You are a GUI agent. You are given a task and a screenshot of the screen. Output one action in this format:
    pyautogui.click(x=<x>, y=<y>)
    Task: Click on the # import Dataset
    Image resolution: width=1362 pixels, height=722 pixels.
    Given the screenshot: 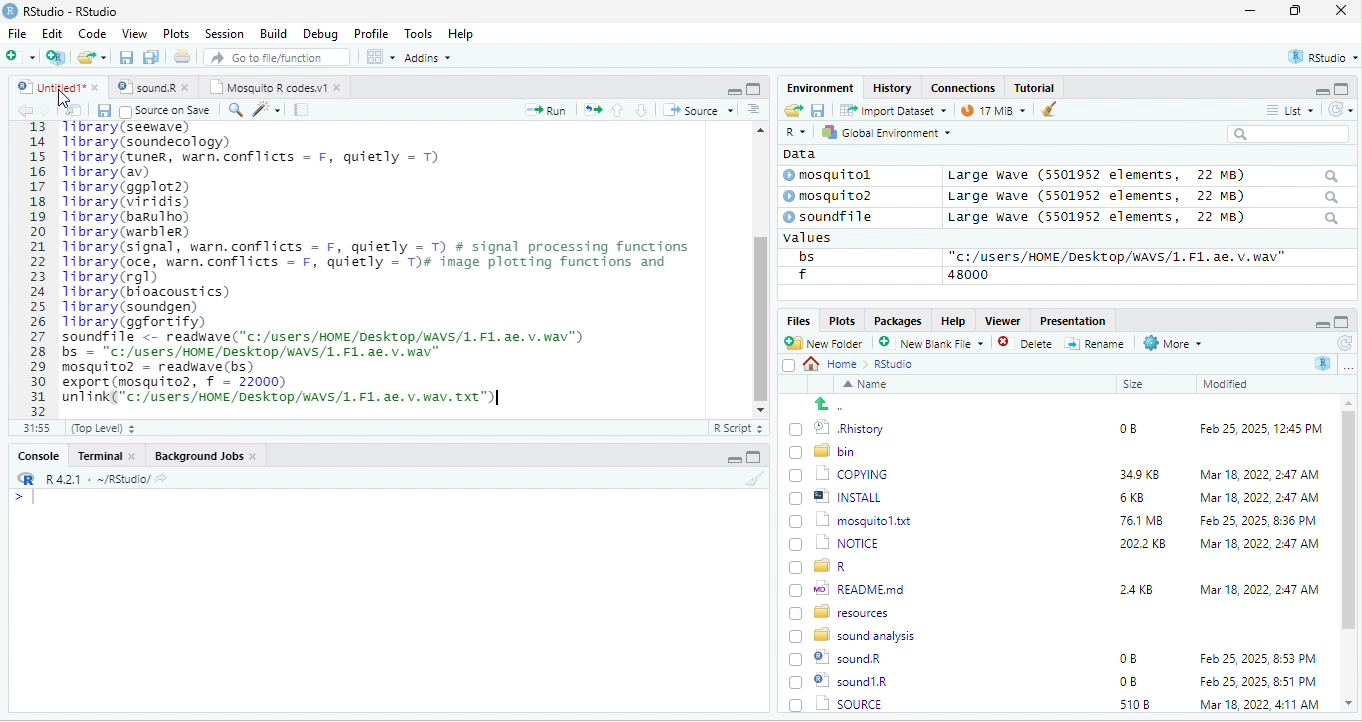 What is the action you would take?
    pyautogui.click(x=891, y=109)
    